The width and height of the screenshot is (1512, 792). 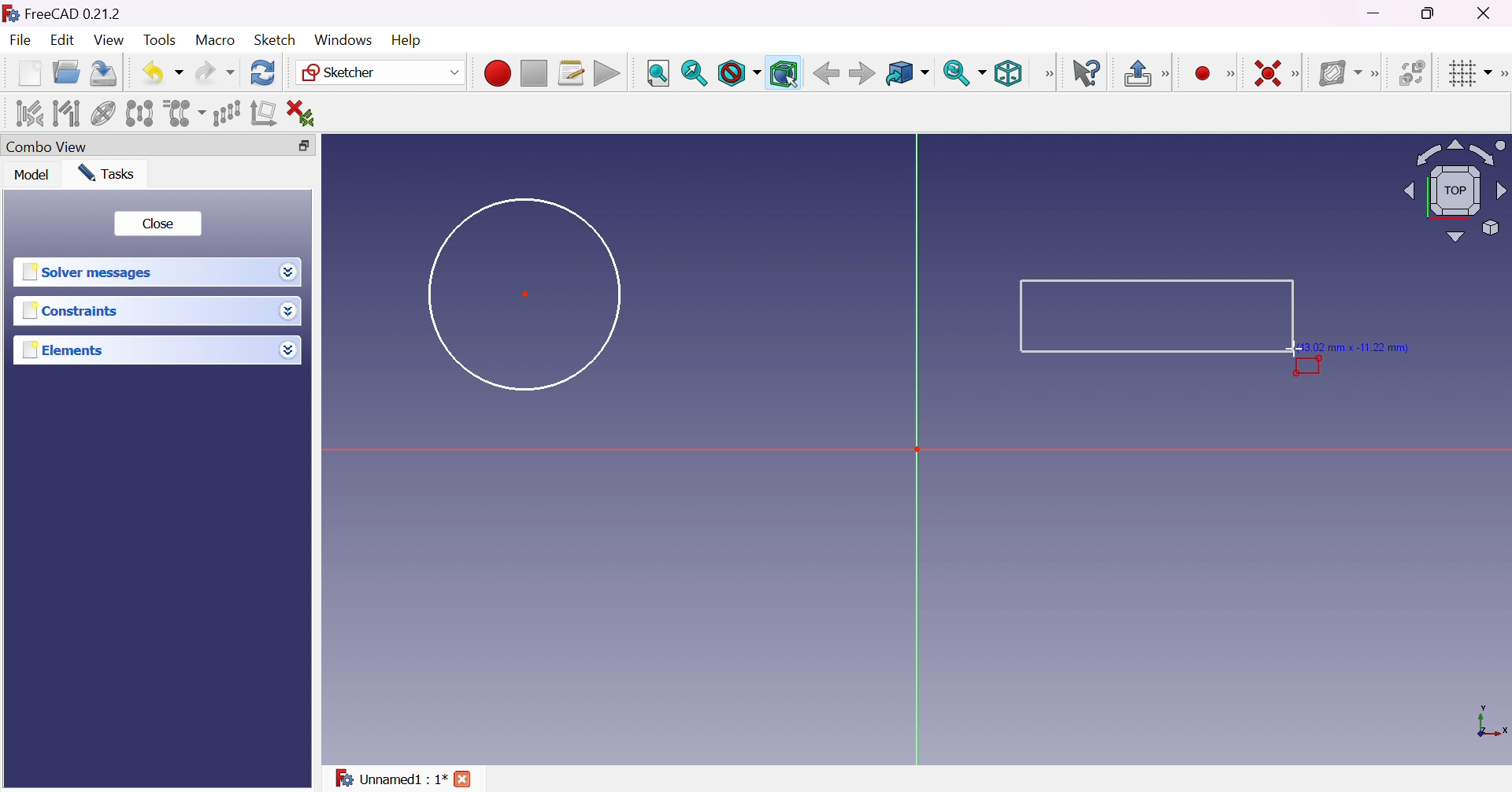 What do you see at coordinates (1468, 72) in the screenshot?
I see `Toggle grid` at bounding box center [1468, 72].